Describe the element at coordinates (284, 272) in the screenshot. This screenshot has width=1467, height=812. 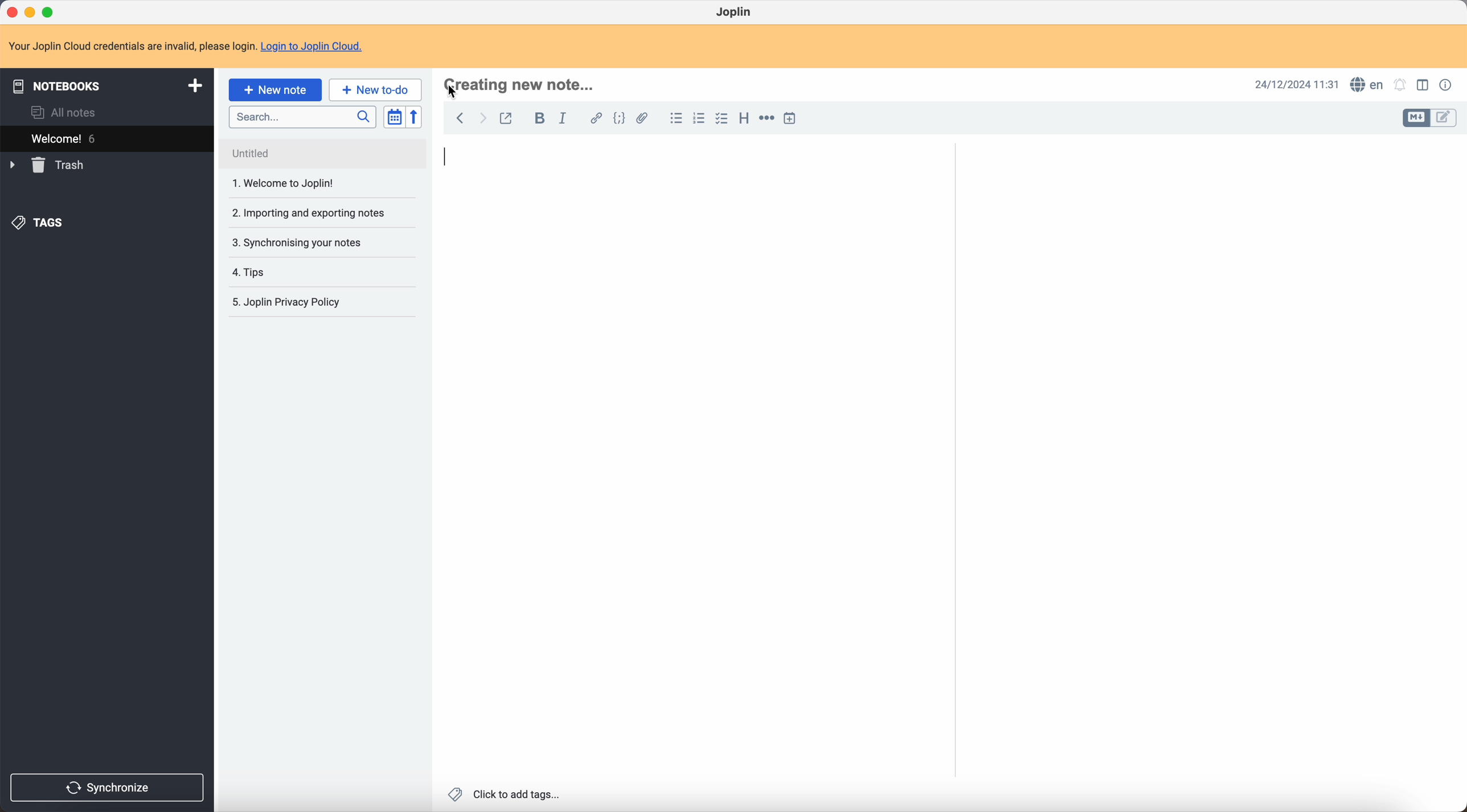
I see `4. Tips` at that location.